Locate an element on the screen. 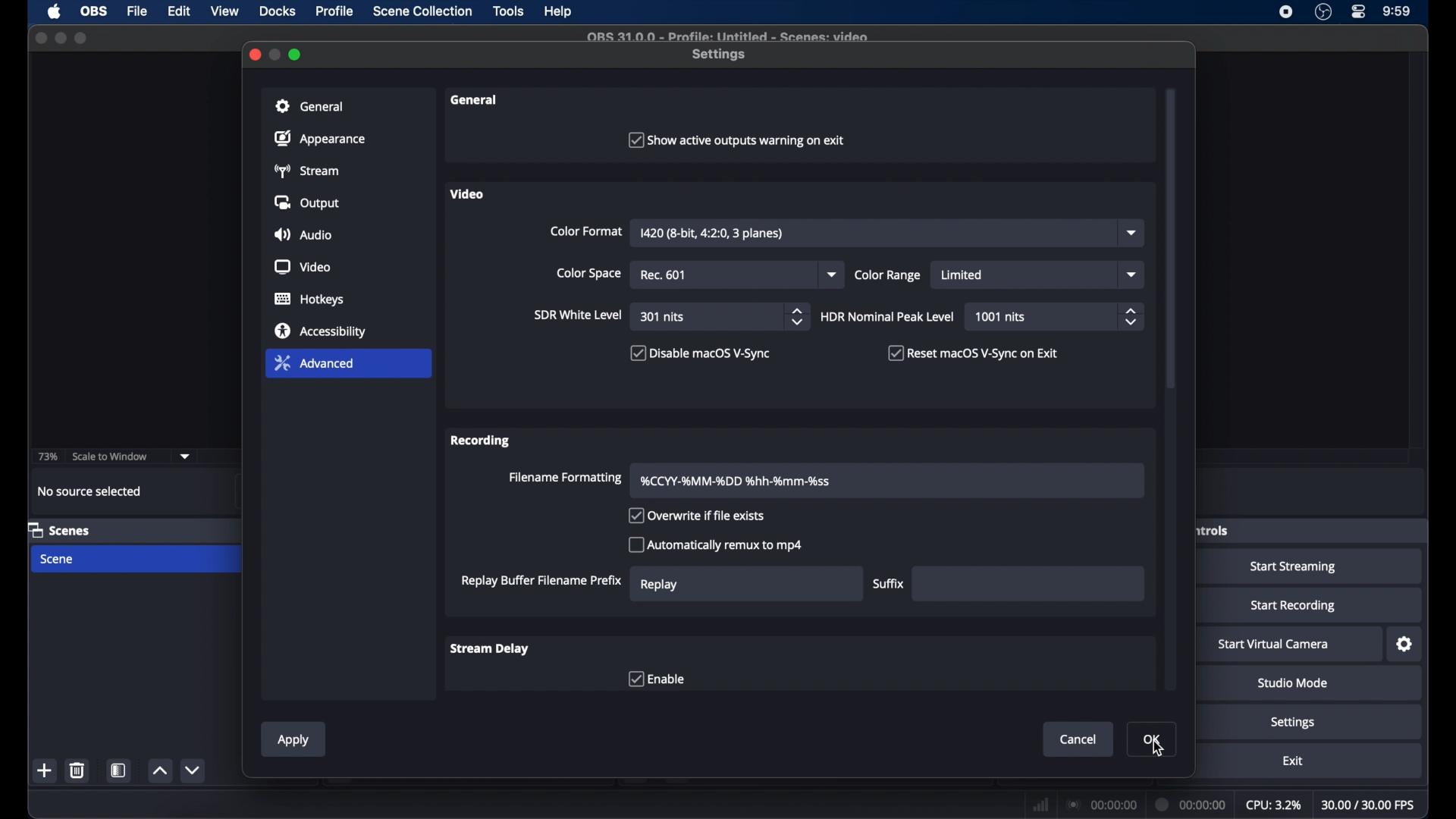  edit is located at coordinates (179, 12).